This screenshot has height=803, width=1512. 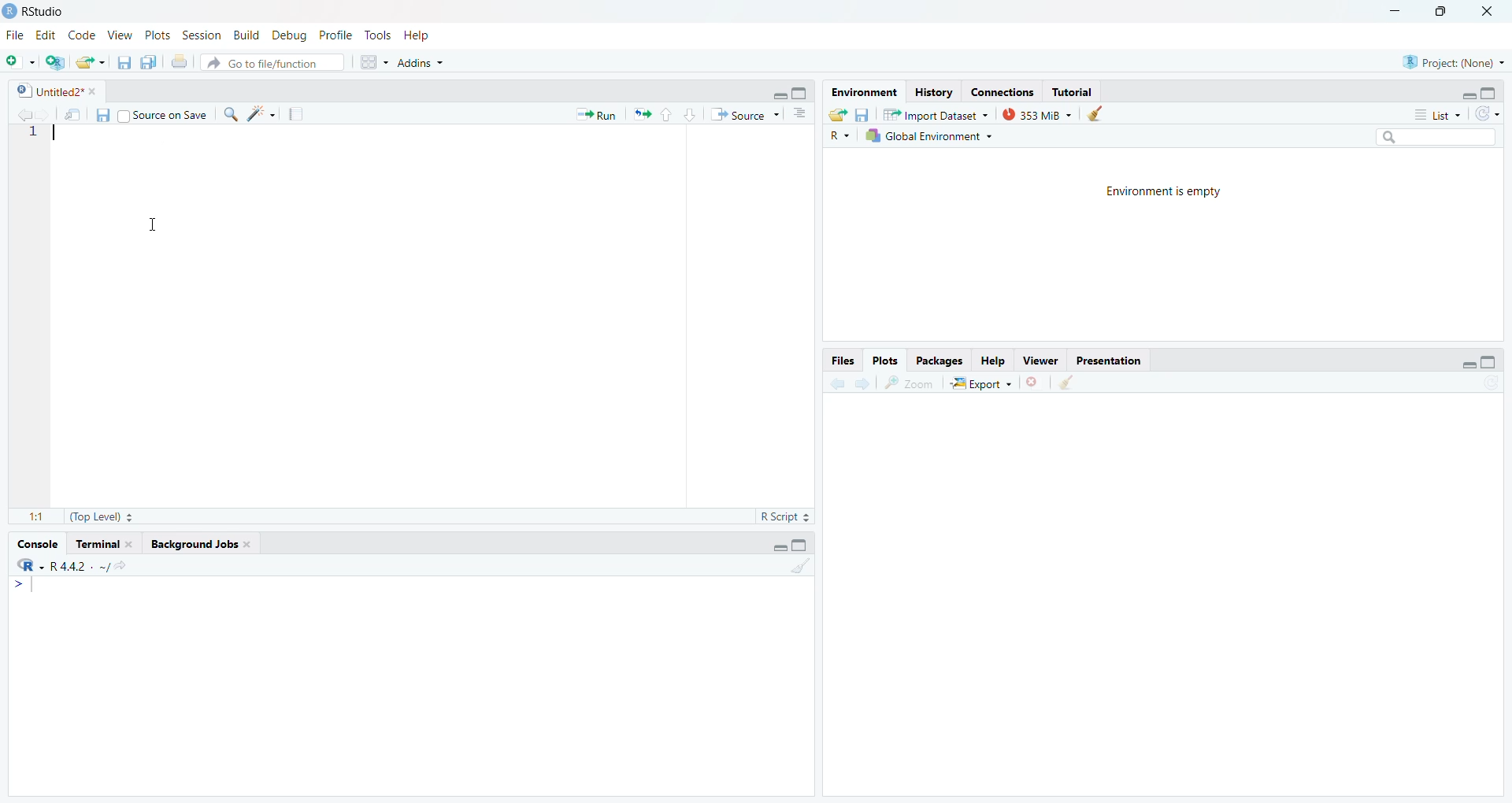 What do you see at coordinates (1041, 359) in the screenshot?
I see `Viewer` at bounding box center [1041, 359].